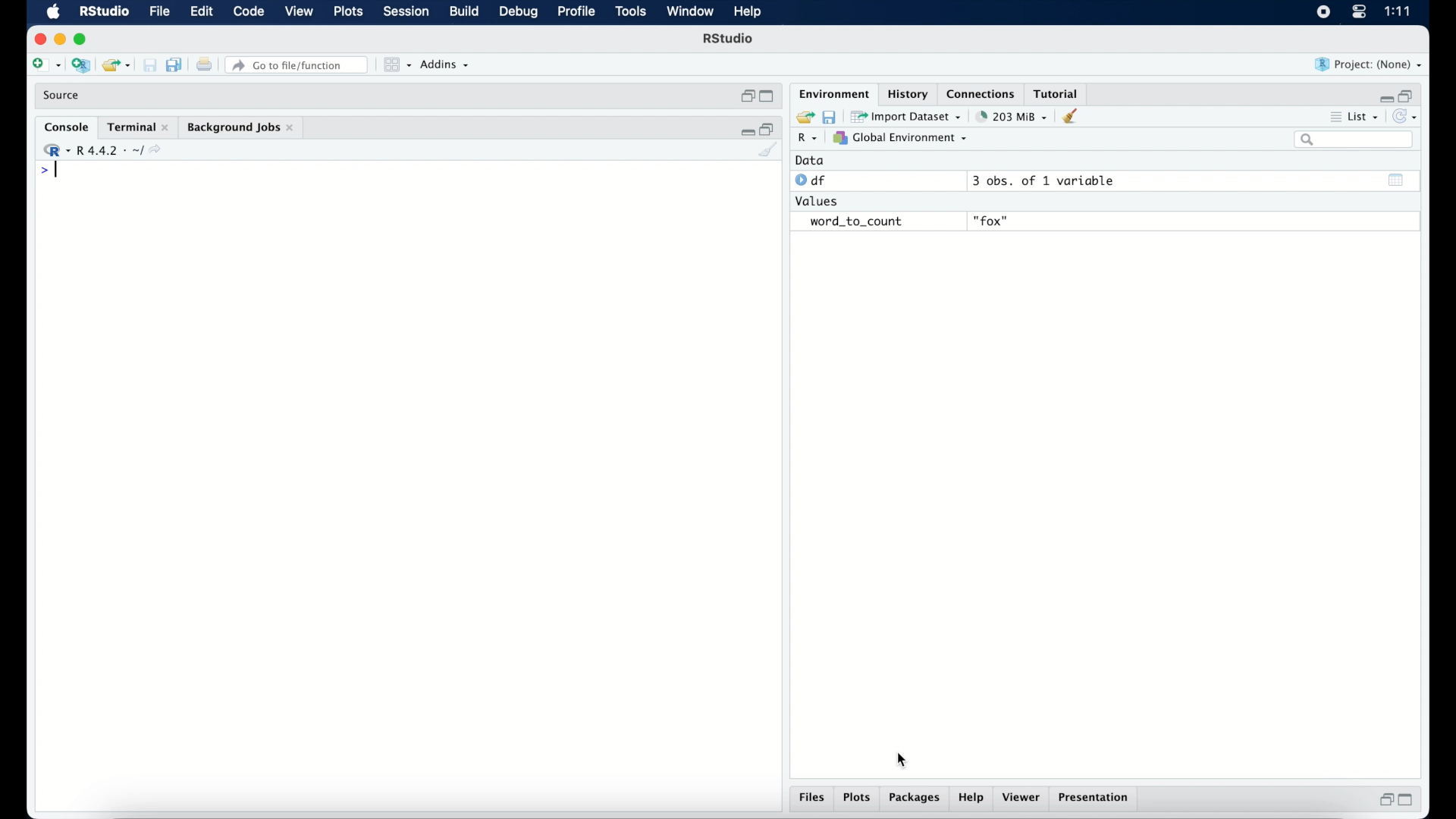  I want to click on screen recorder, so click(1323, 13).